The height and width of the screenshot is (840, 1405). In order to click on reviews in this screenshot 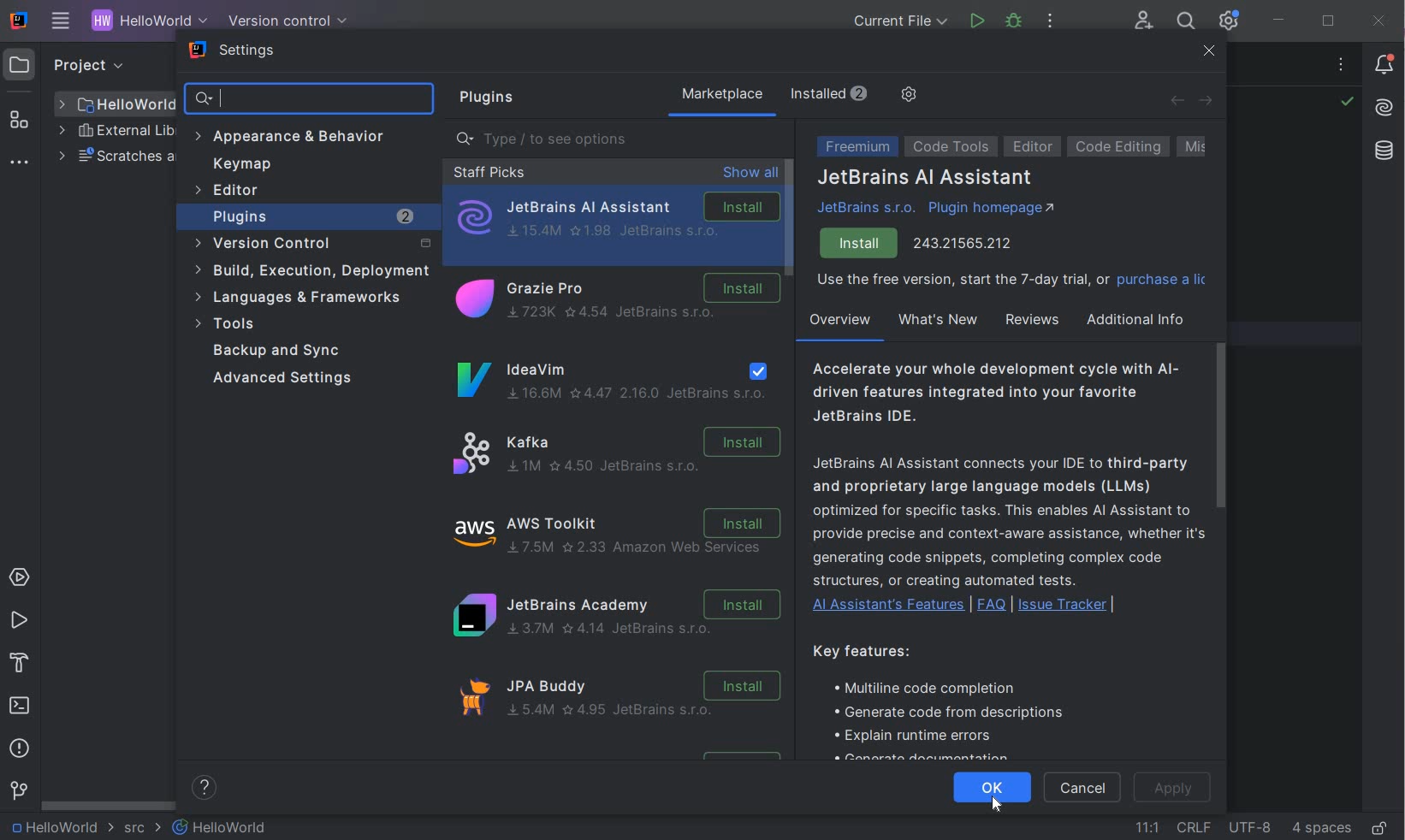, I will do `click(1030, 320)`.